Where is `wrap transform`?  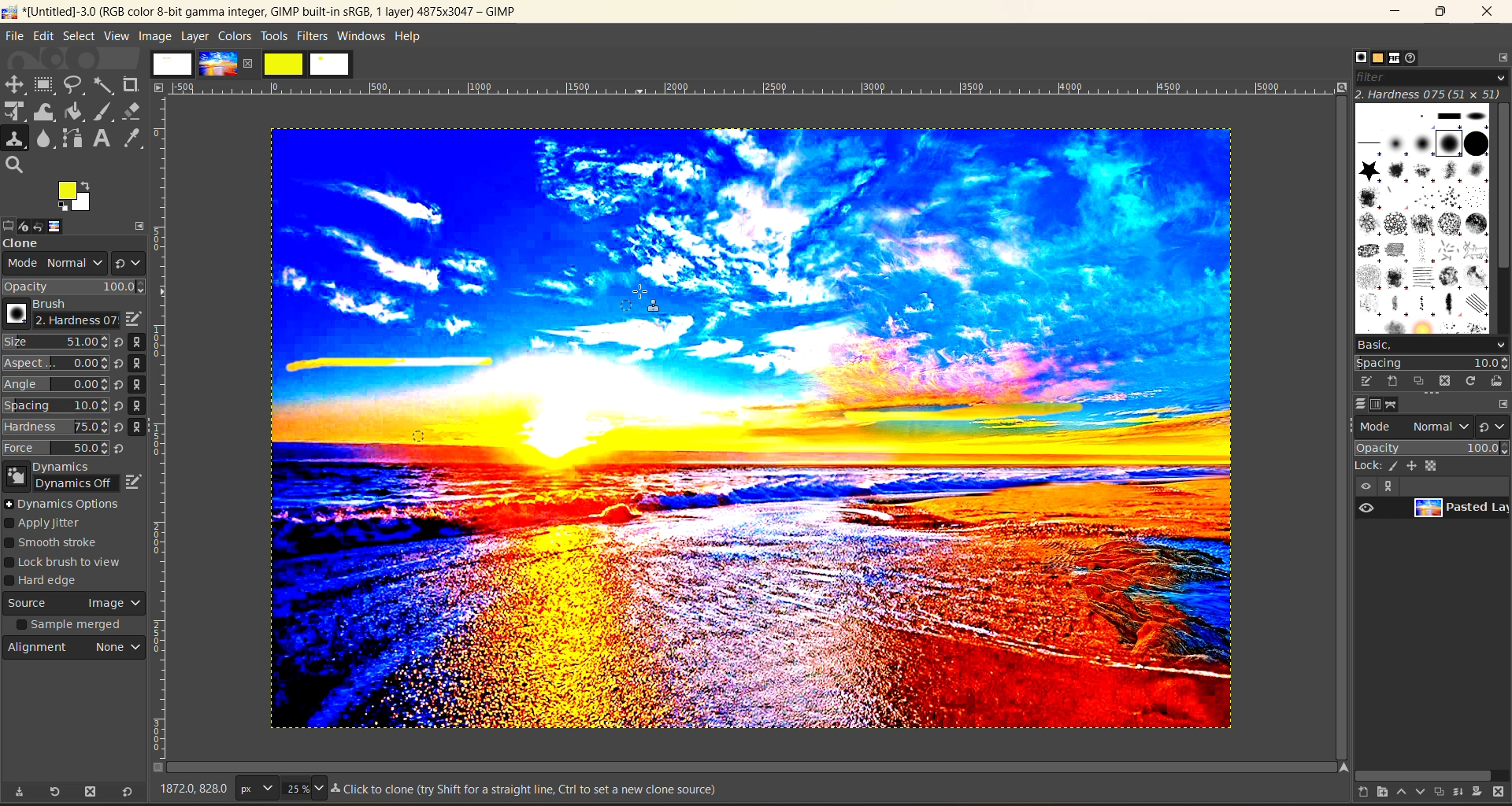
wrap transform is located at coordinates (46, 113).